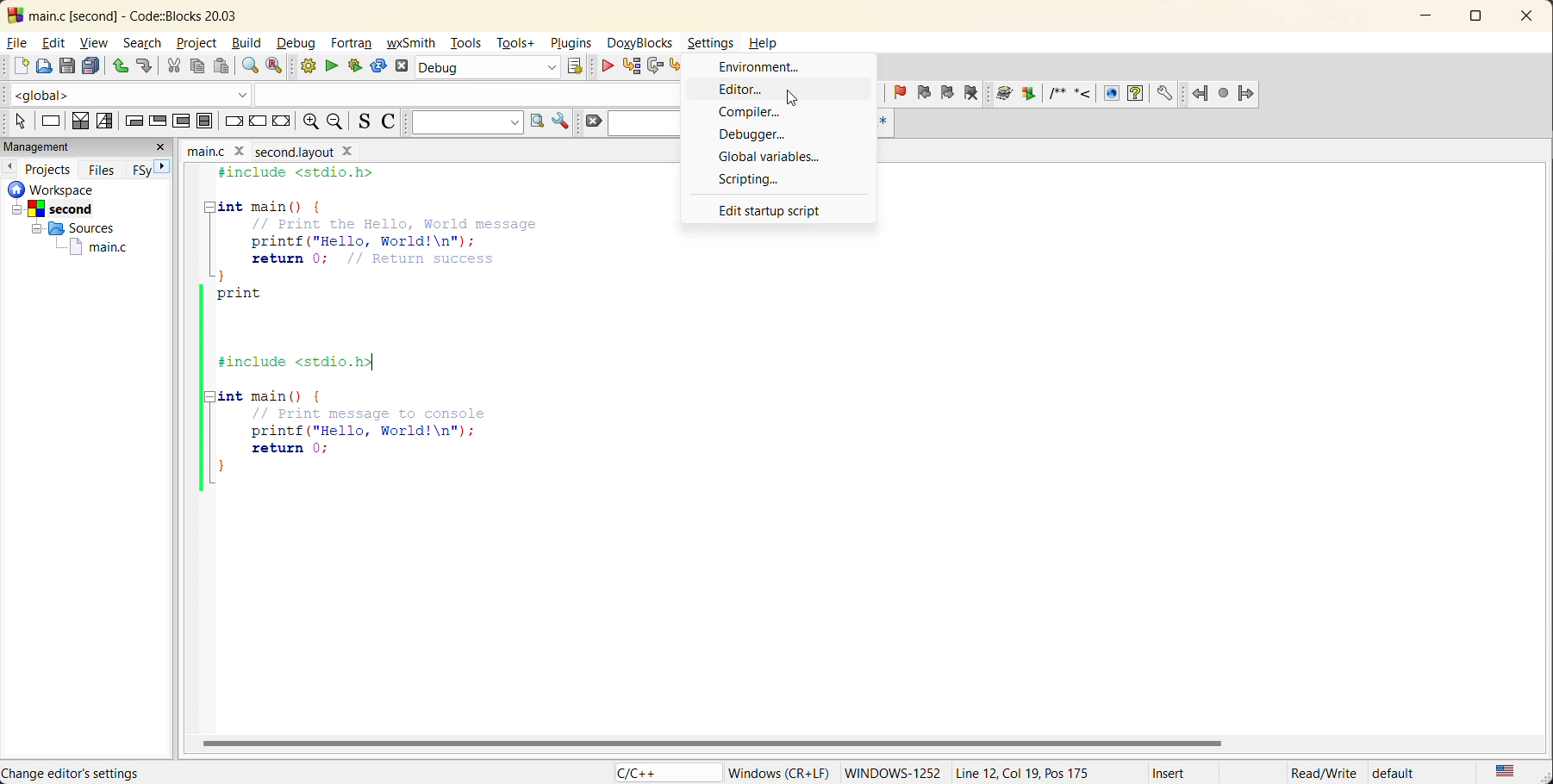 The width and height of the screenshot is (1553, 784). What do you see at coordinates (752, 134) in the screenshot?
I see `debugger` at bounding box center [752, 134].